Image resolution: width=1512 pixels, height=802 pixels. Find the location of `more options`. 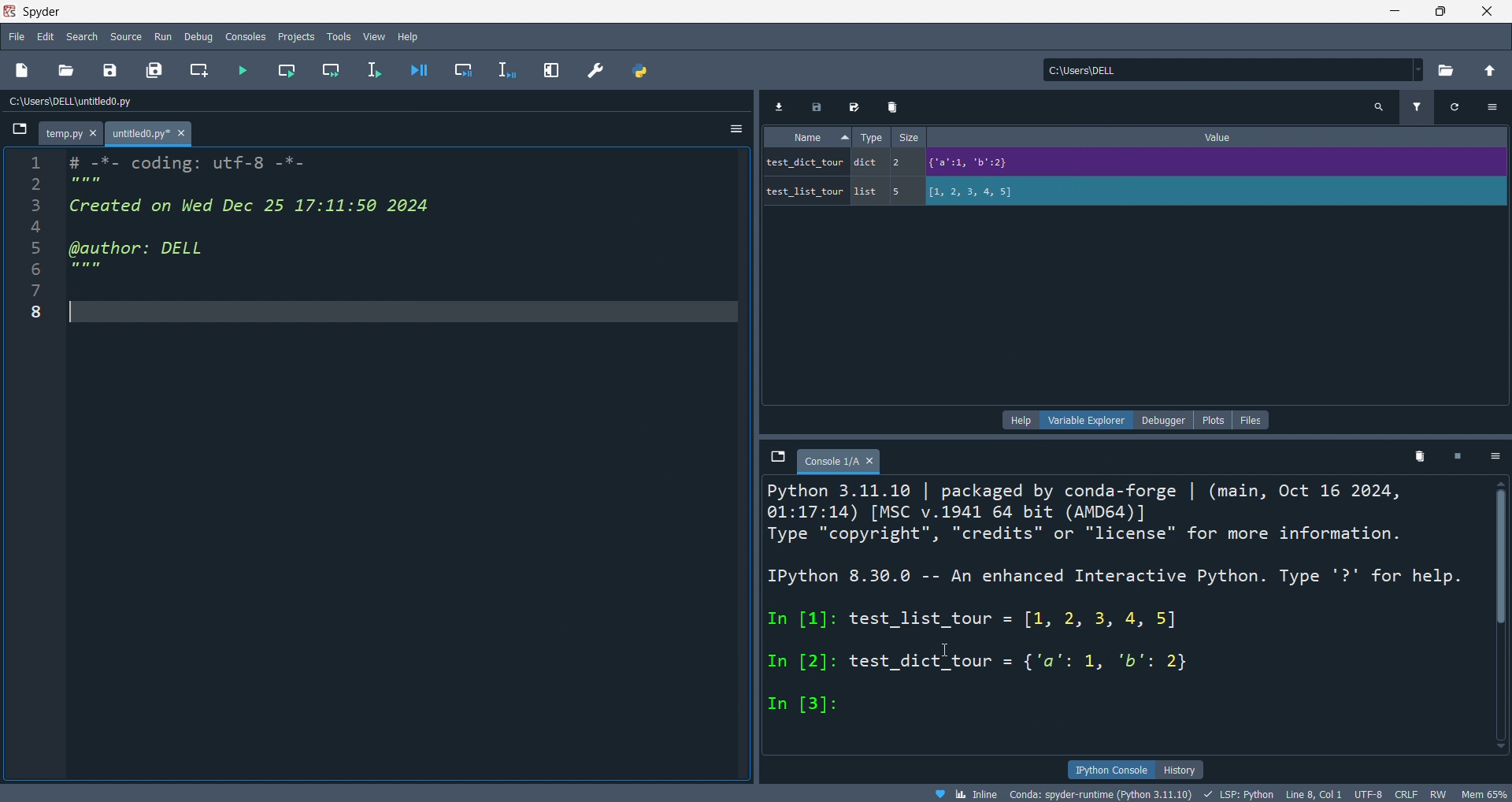

more options is located at coordinates (736, 127).